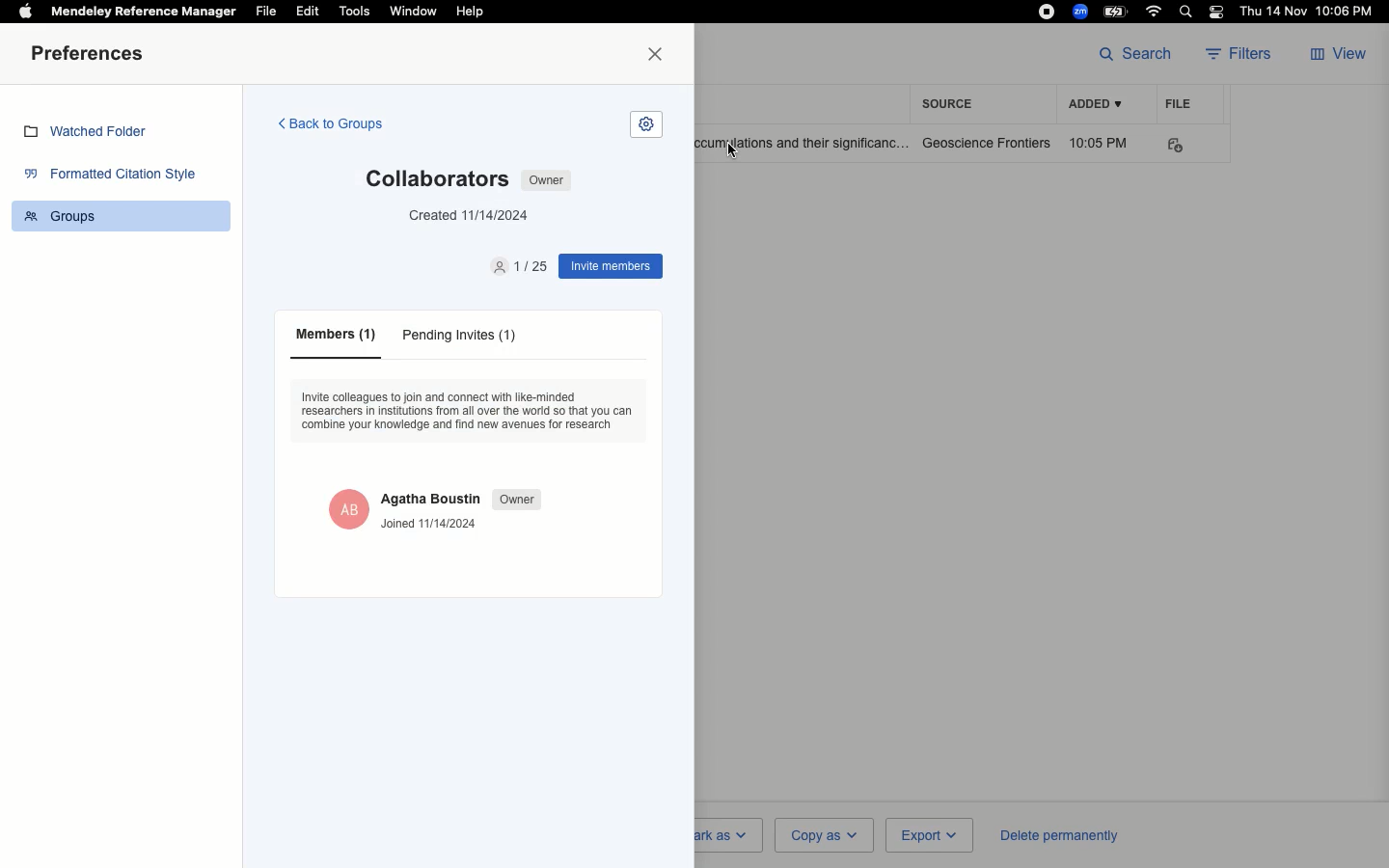 The image size is (1389, 868). I want to click on Edit, so click(308, 11).